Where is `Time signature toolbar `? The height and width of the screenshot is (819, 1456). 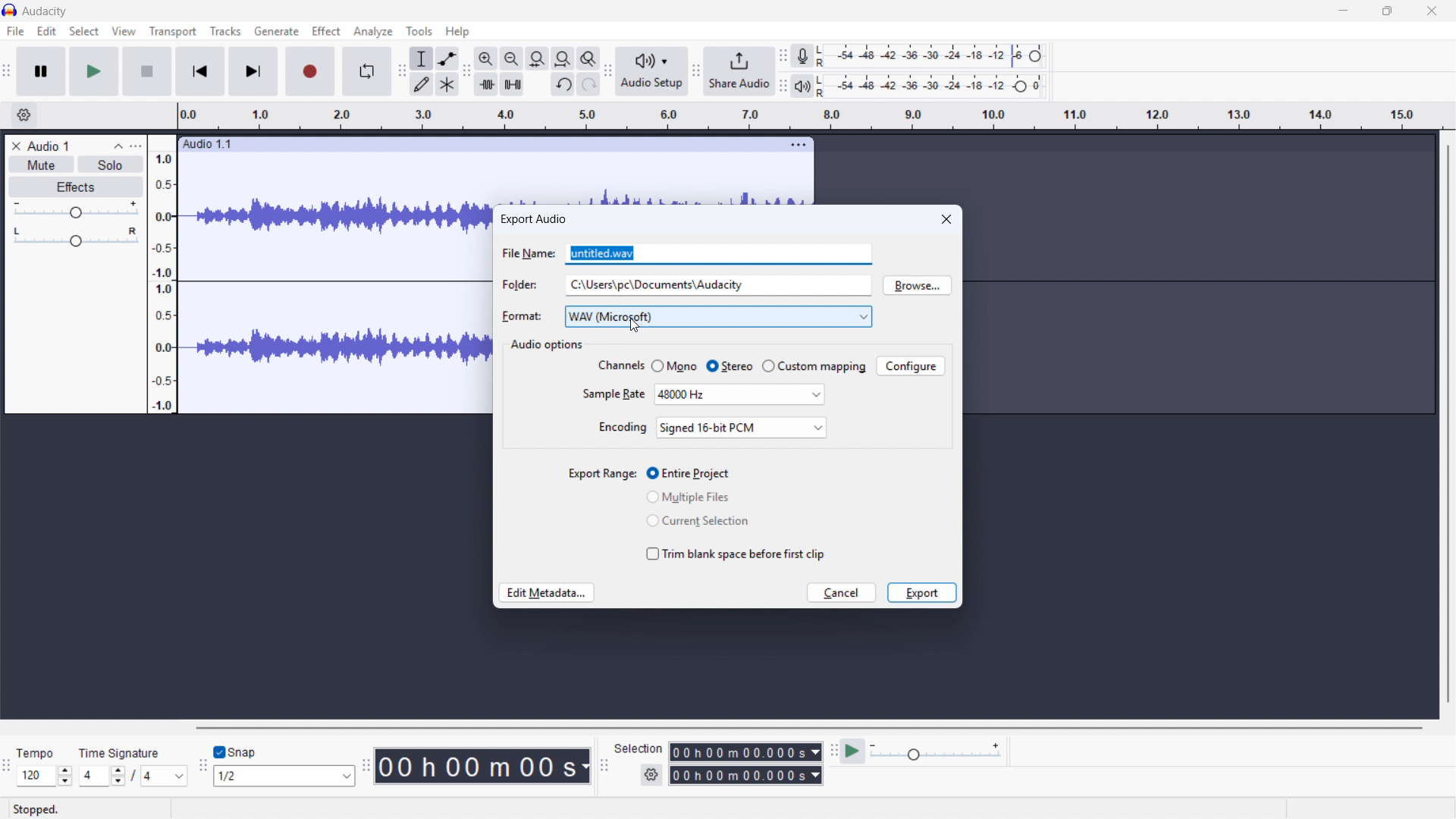
Time signature toolbar  is located at coordinates (7, 768).